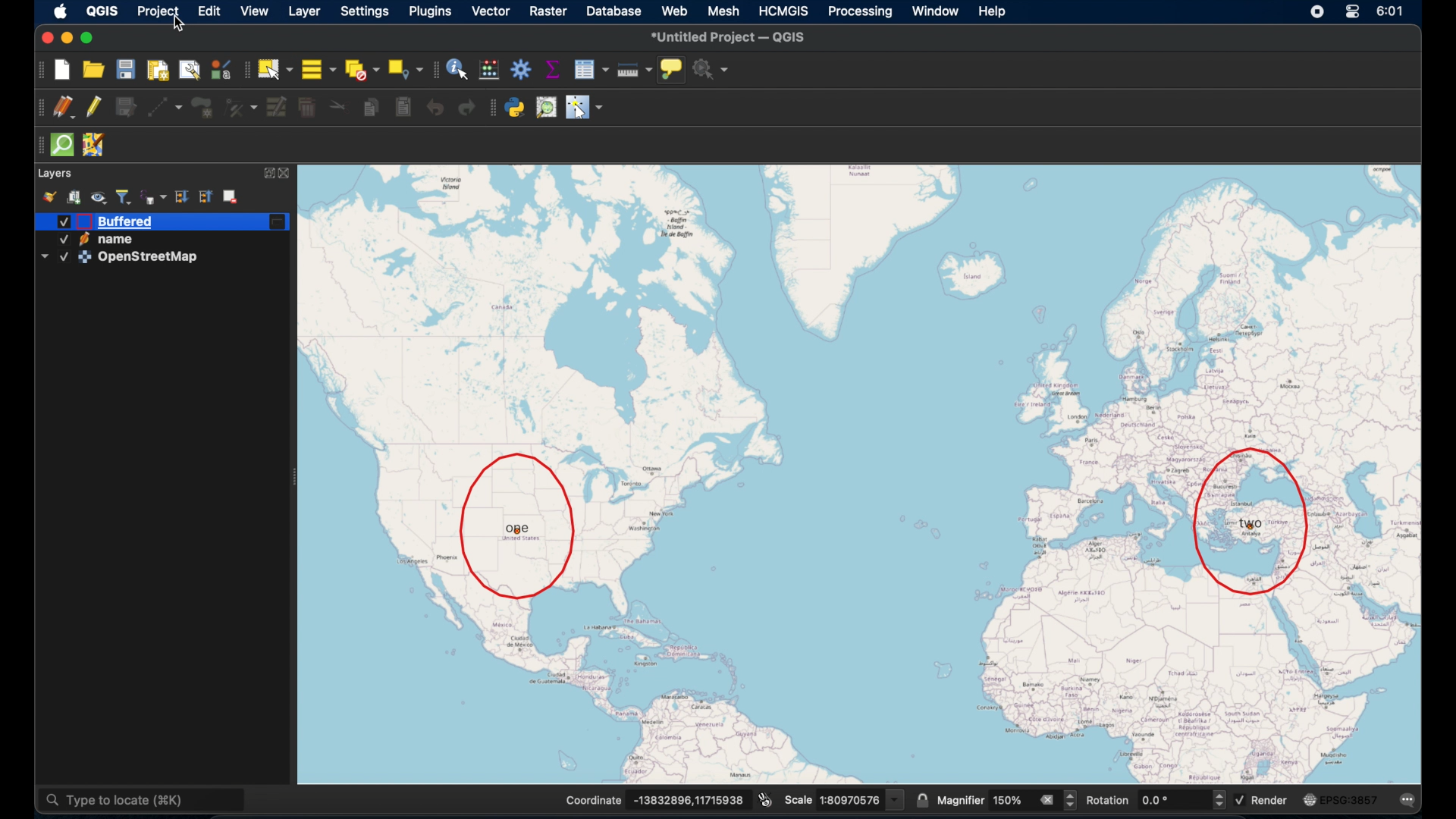 This screenshot has width=1456, height=819. I want to click on time 6:01, so click(1389, 11).